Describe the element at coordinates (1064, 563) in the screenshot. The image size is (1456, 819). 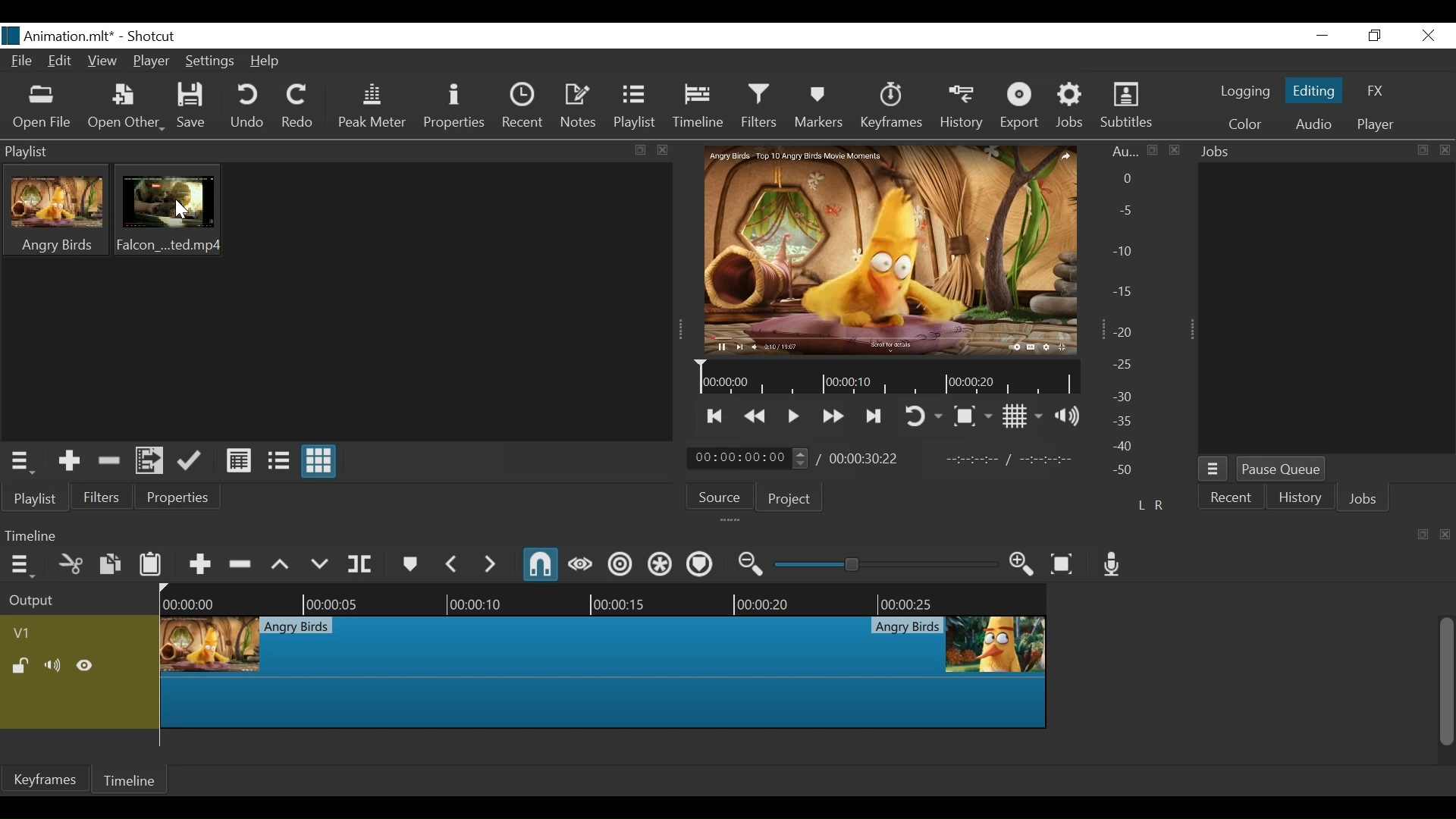
I see `Zoom timeline to fit` at that location.